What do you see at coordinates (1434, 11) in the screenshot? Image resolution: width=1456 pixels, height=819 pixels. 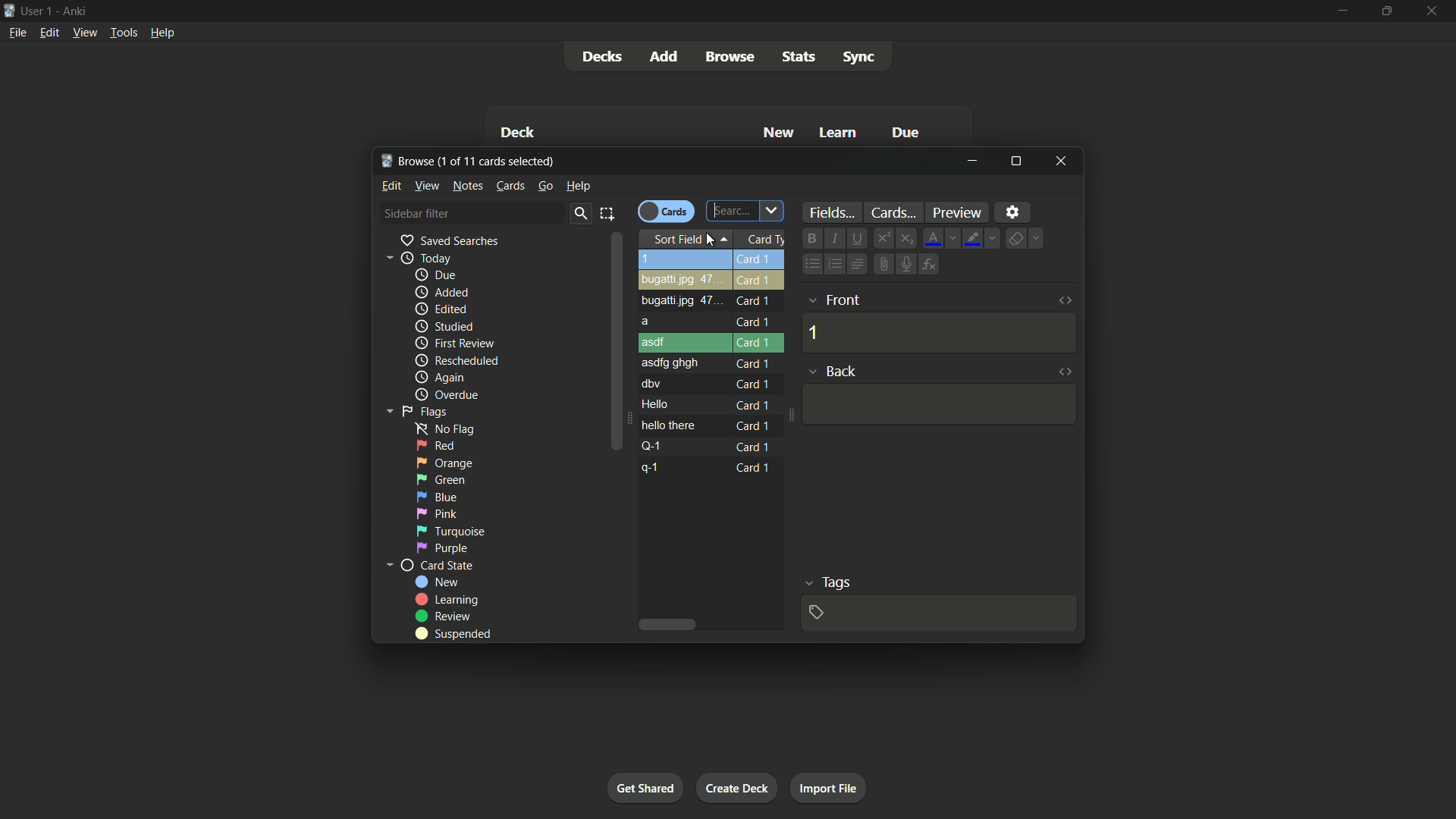 I see `close app` at bounding box center [1434, 11].